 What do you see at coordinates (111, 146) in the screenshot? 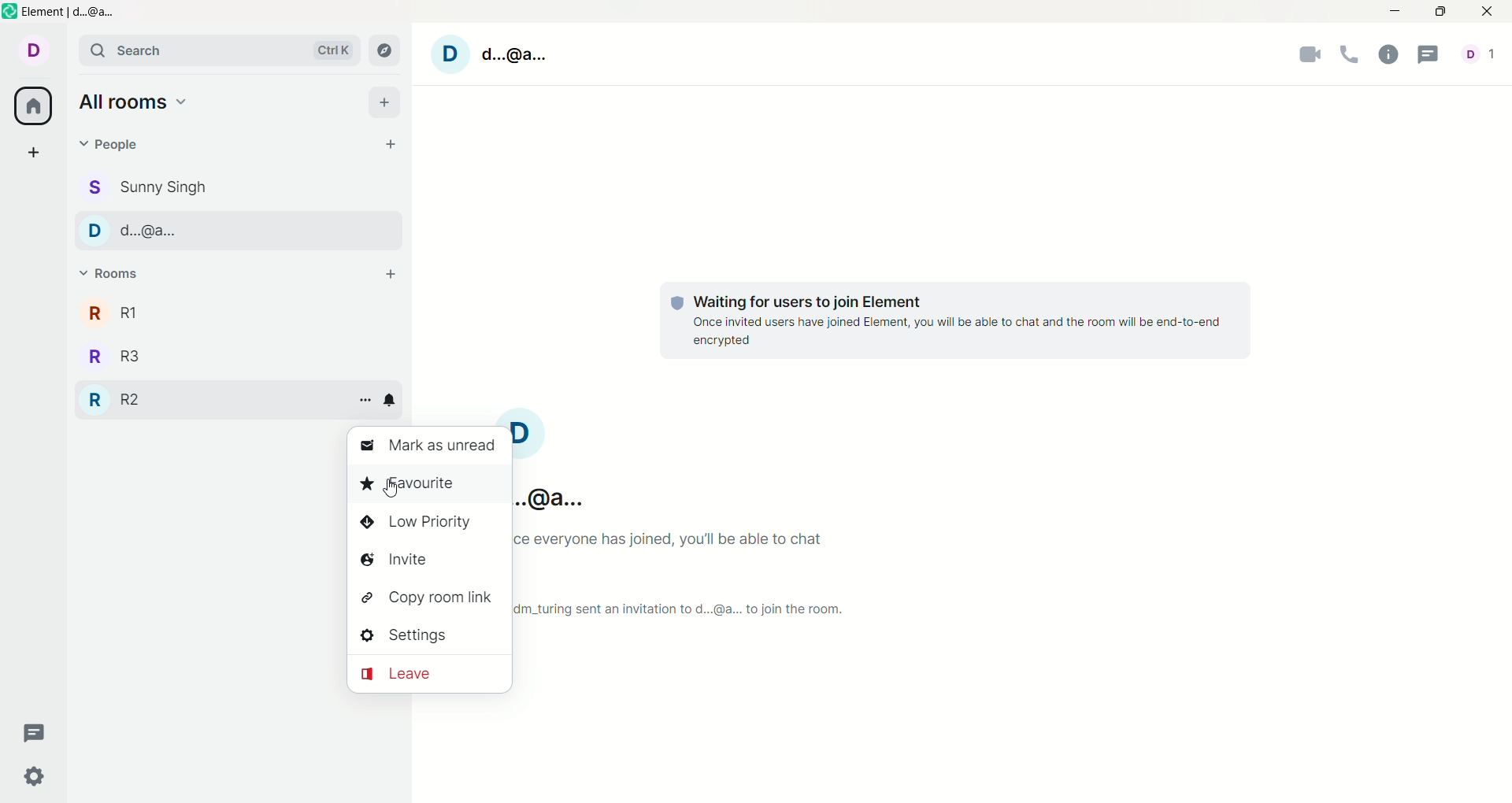
I see `people` at bounding box center [111, 146].